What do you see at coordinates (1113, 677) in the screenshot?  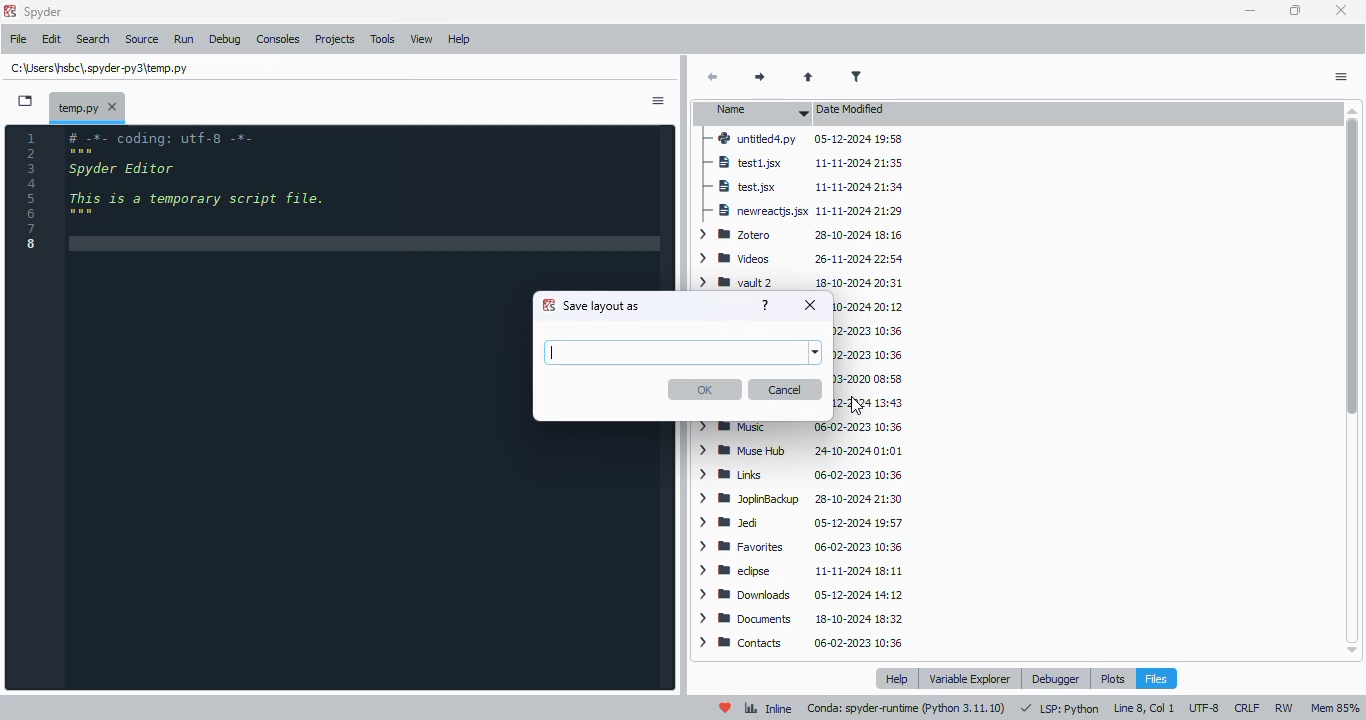 I see `plots` at bounding box center [1113, 677].